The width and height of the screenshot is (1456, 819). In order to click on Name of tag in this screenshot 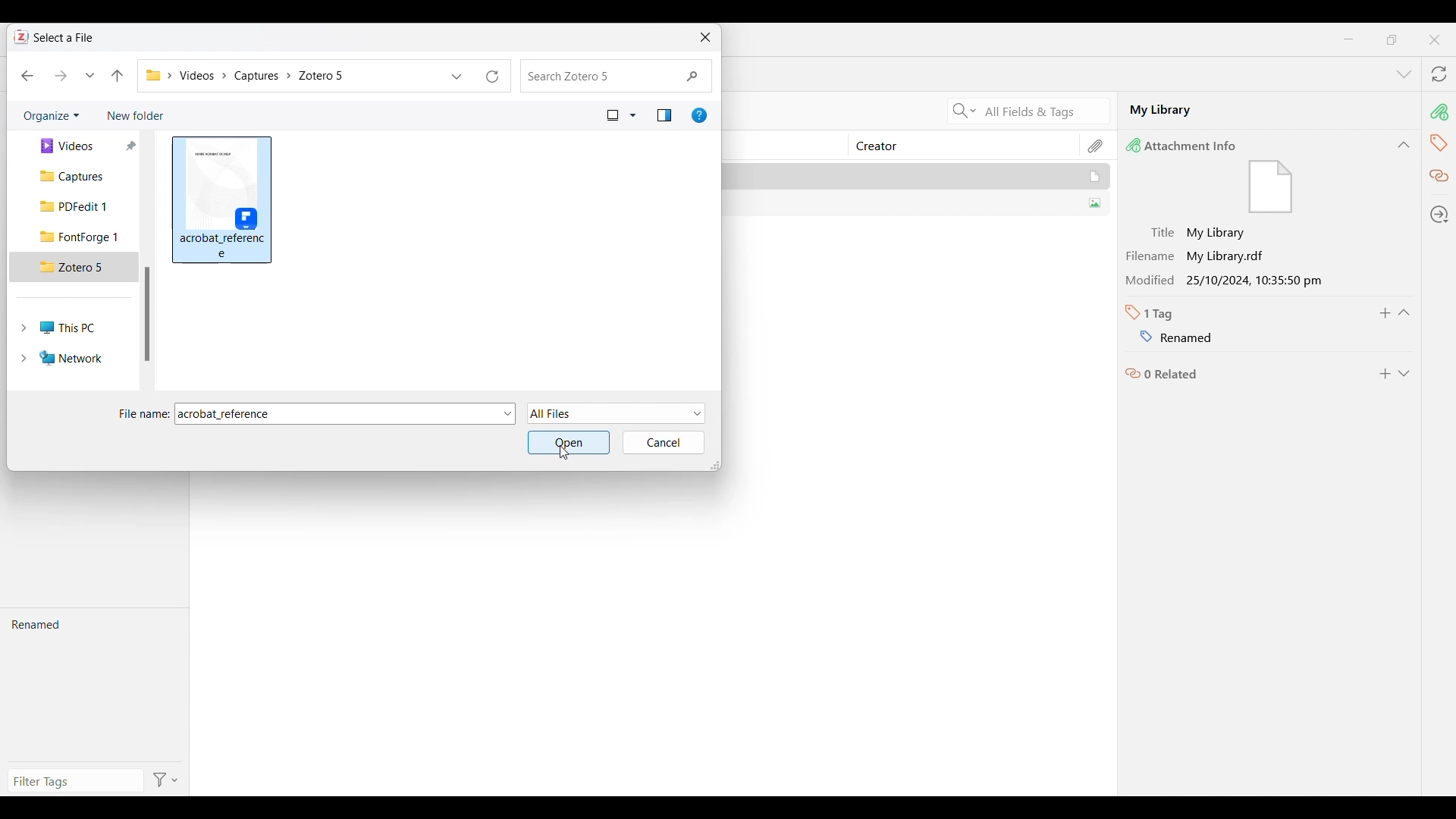, I will do `click(1167, 335)`.